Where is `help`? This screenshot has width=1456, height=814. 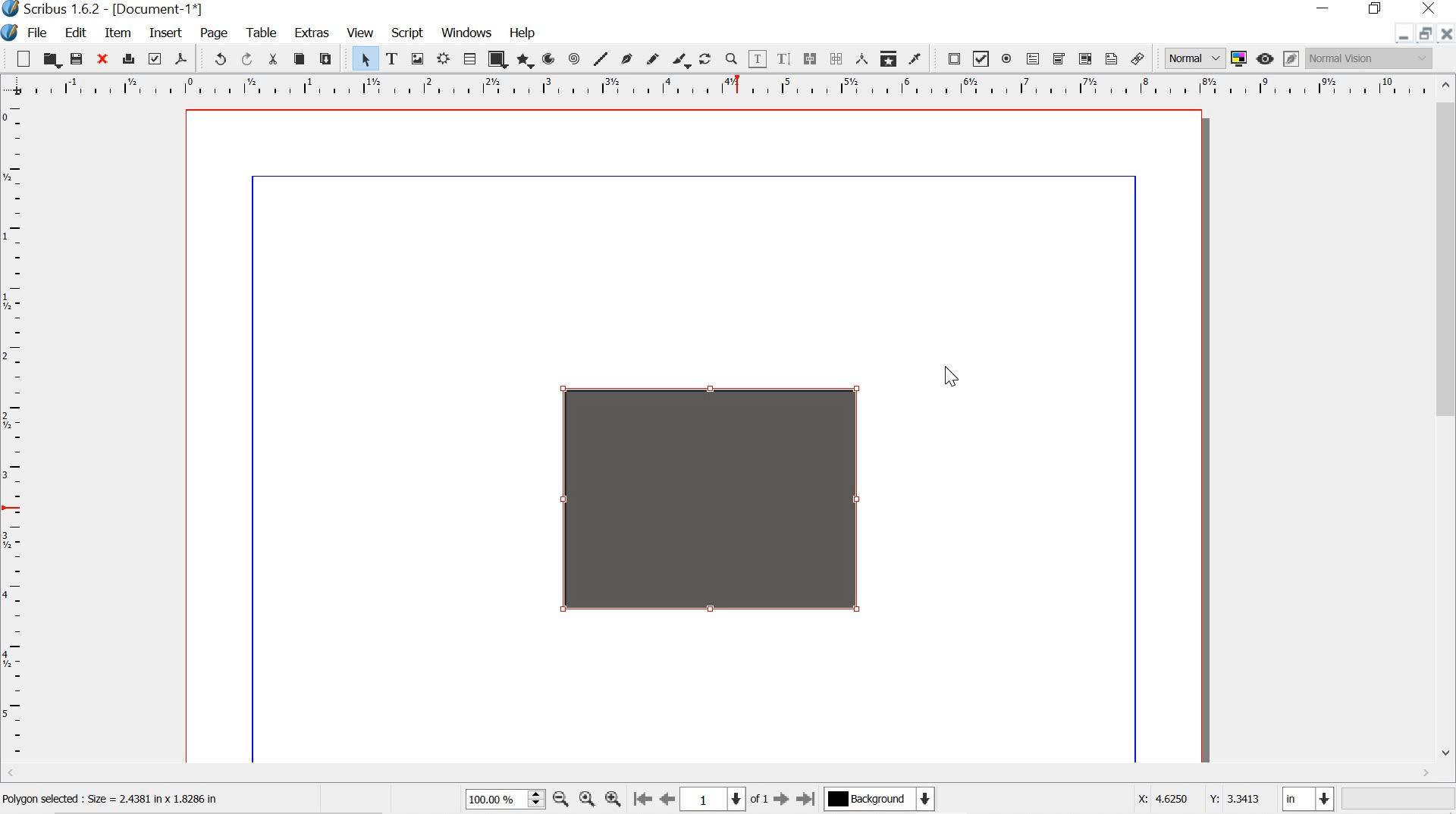 help is located at coordinates (522, 35).